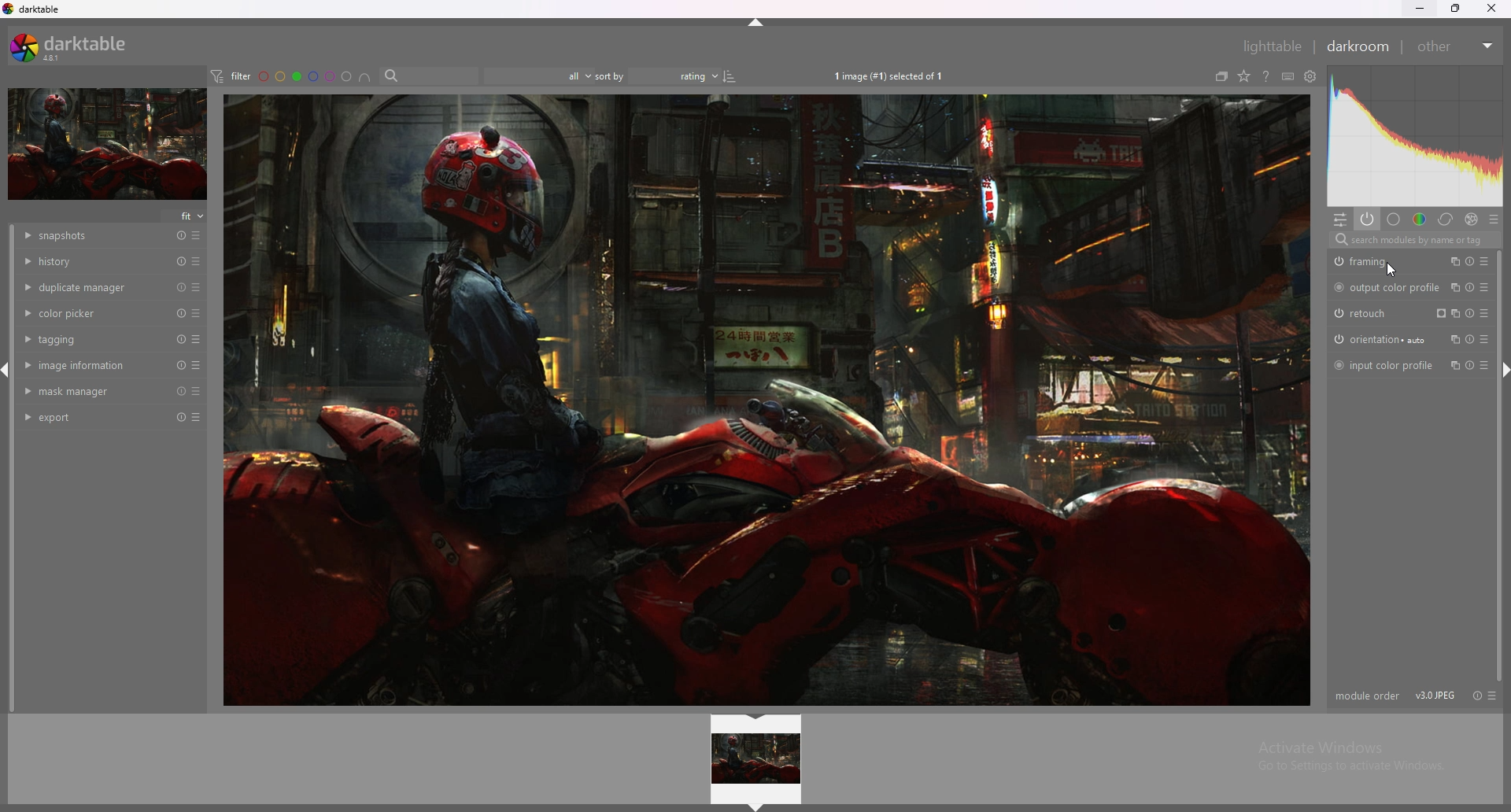  Describe the element at coordinates (182, 366) in the screenshot. I see `reset` at that location.